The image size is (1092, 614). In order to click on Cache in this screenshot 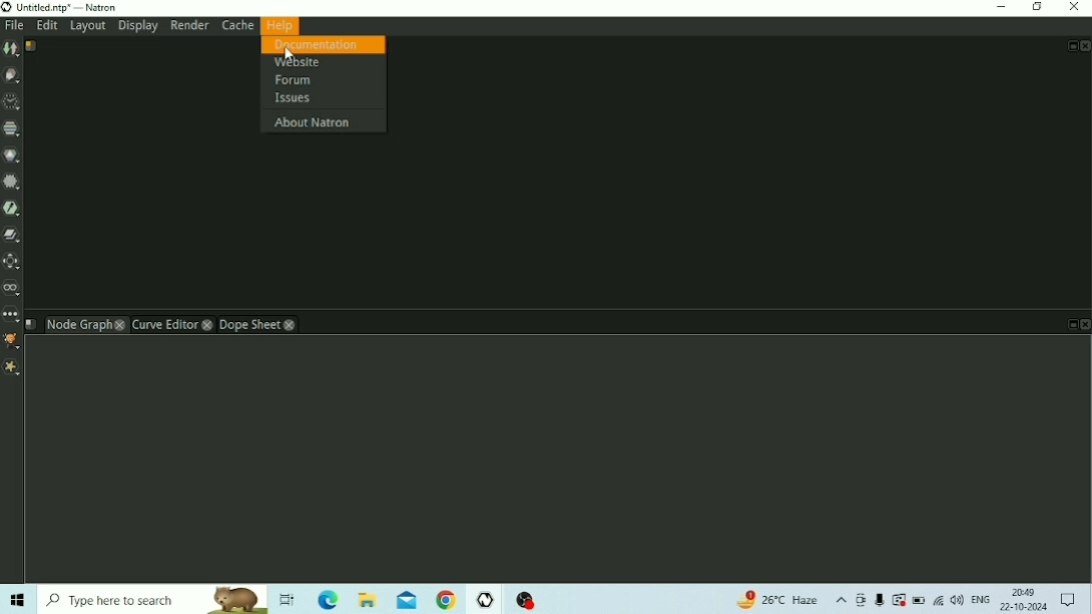, I will do `click(235, 26)`.